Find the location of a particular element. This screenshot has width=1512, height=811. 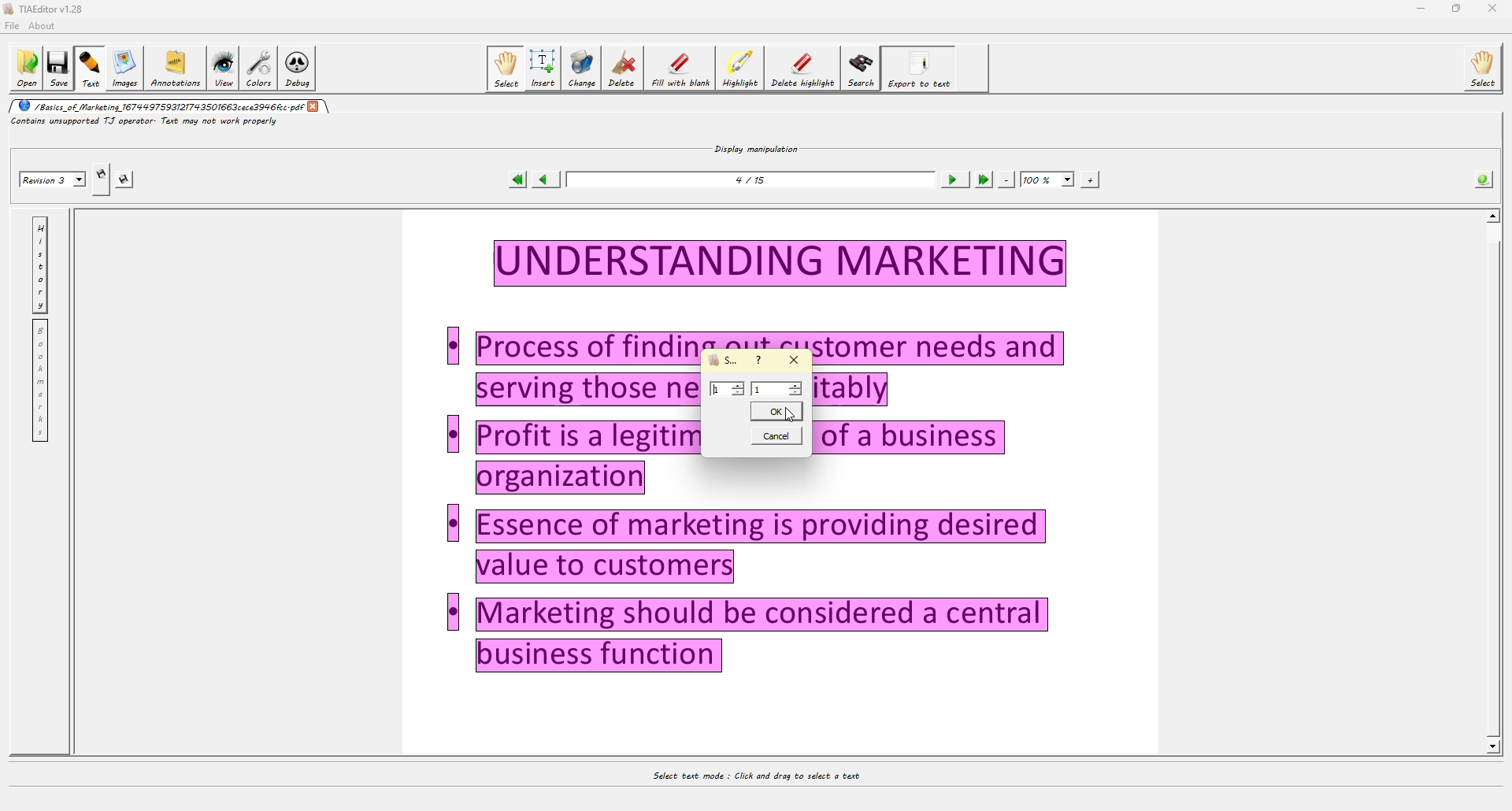

info is located at coordinates (1479, 180).